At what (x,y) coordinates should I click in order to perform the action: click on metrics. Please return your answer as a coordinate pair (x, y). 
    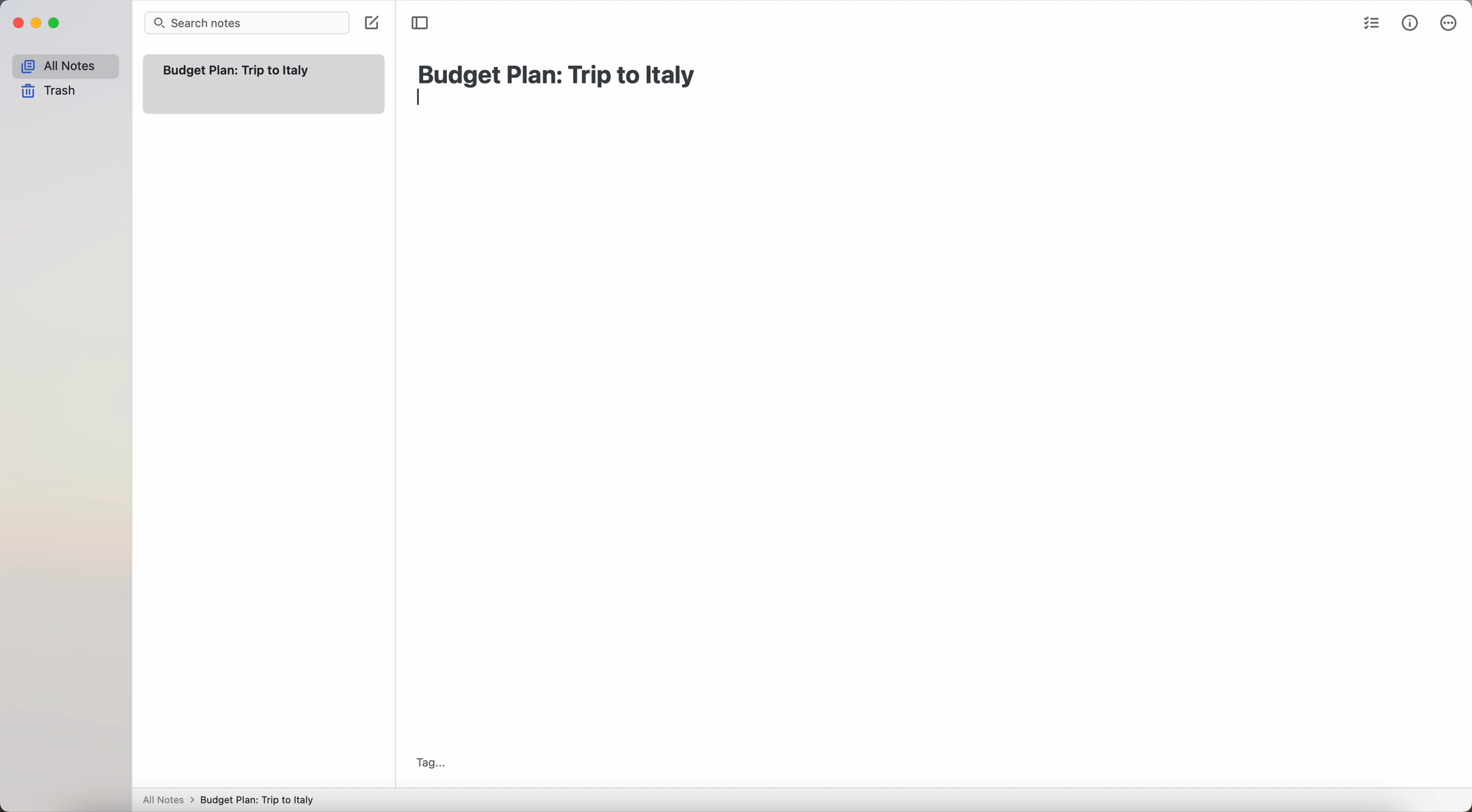
    Looking at the image, I should click on (1410, 25).